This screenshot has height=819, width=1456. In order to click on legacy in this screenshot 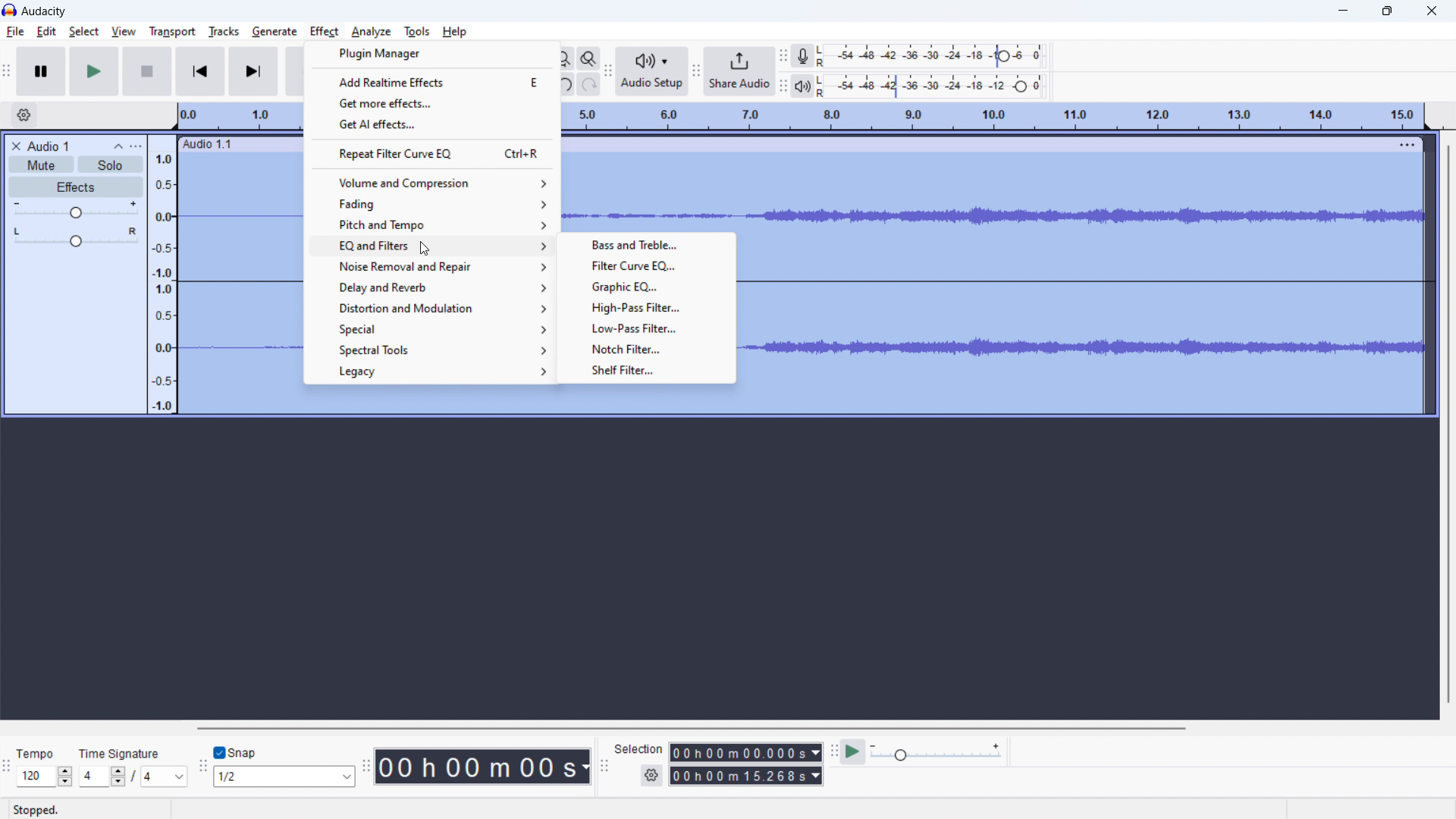, I will do `click(428, 372)`.